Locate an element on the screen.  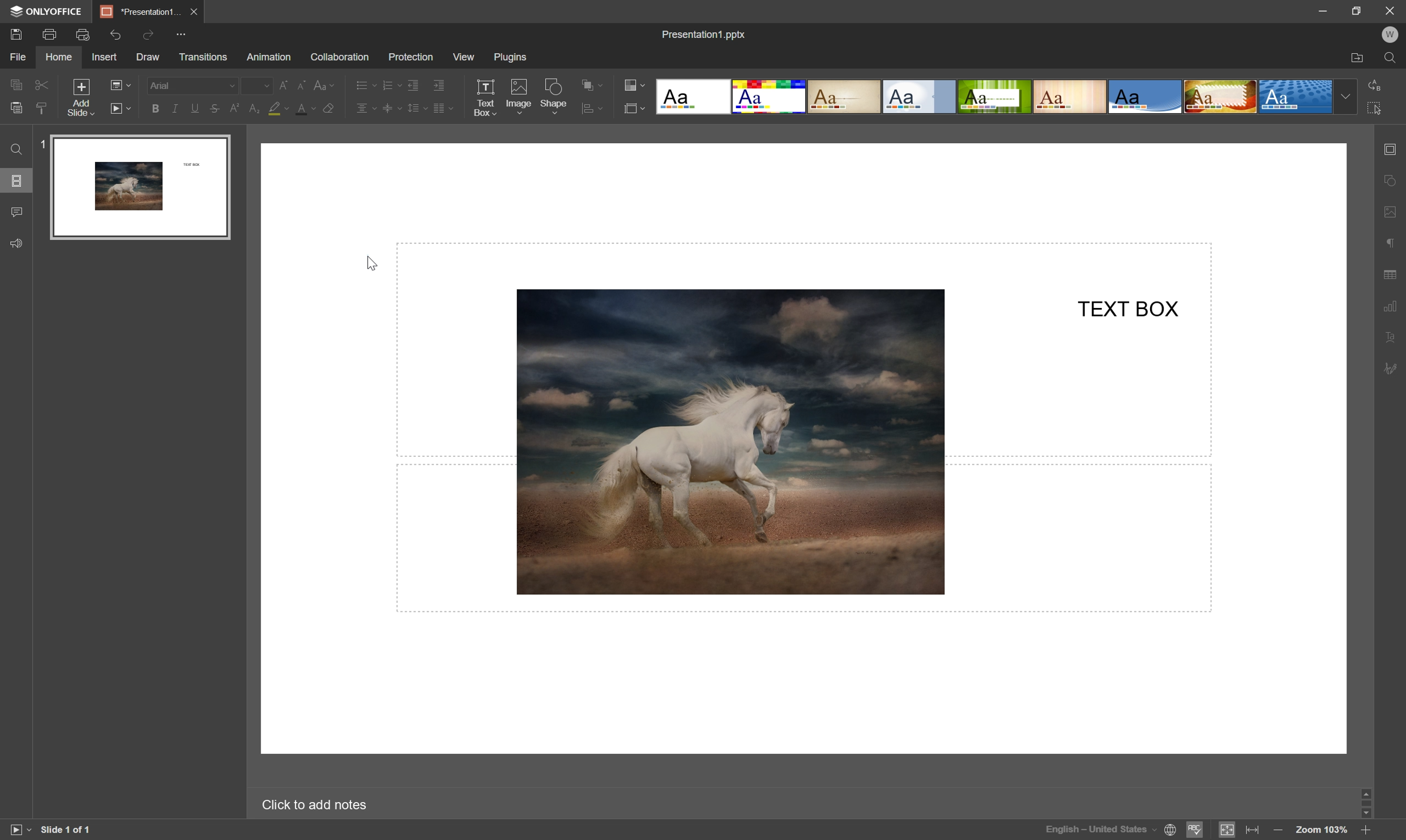
click to add notes is located at coordinates (314, 806).